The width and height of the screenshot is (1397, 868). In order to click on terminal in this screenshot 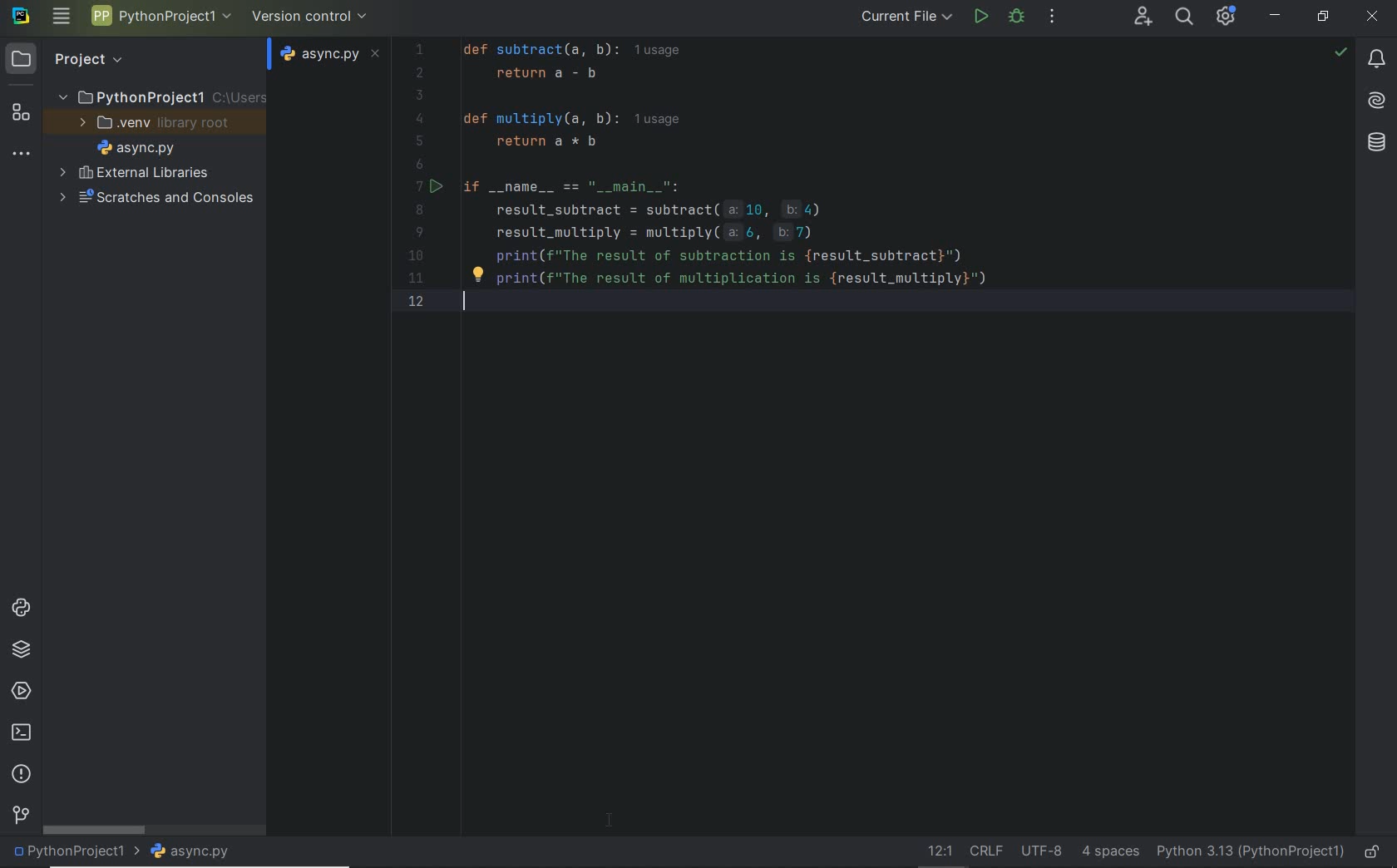, I will do `click(23, 733)`.